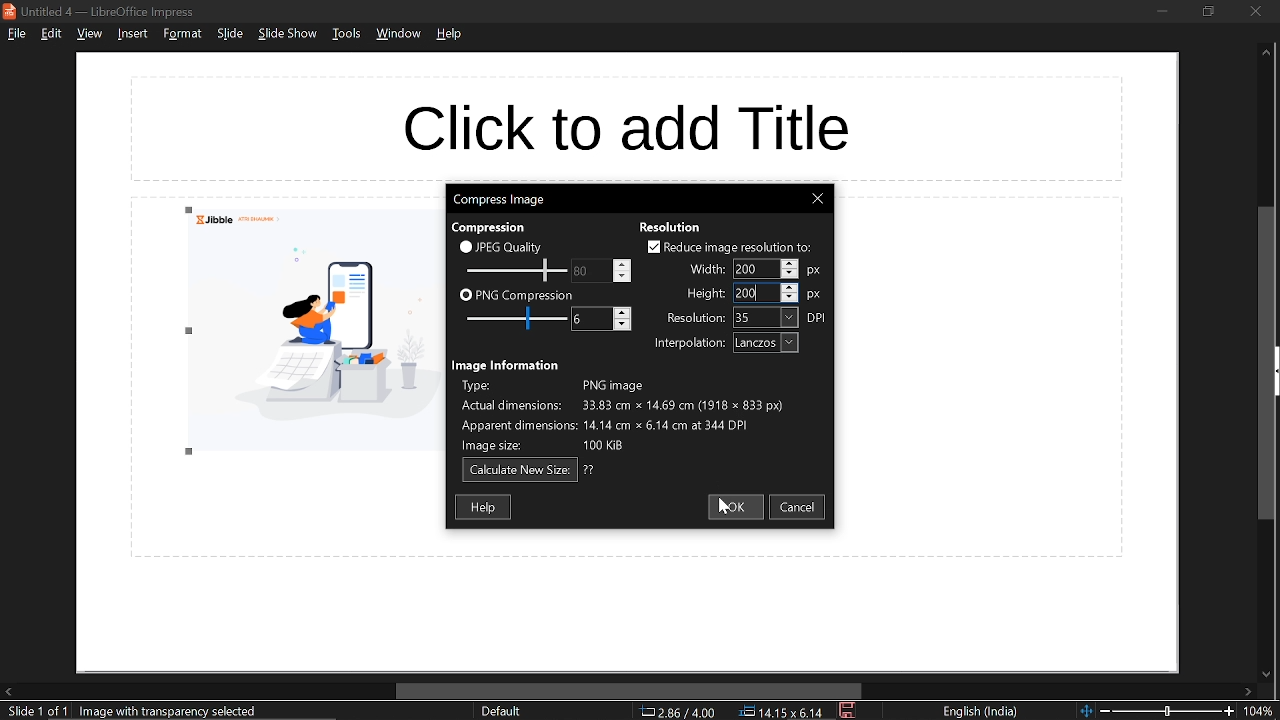 This screenshot has height=720, width=1280. Describe the element at coordinates (758, 294) in the screenshot. I see `Cursor` at that location.